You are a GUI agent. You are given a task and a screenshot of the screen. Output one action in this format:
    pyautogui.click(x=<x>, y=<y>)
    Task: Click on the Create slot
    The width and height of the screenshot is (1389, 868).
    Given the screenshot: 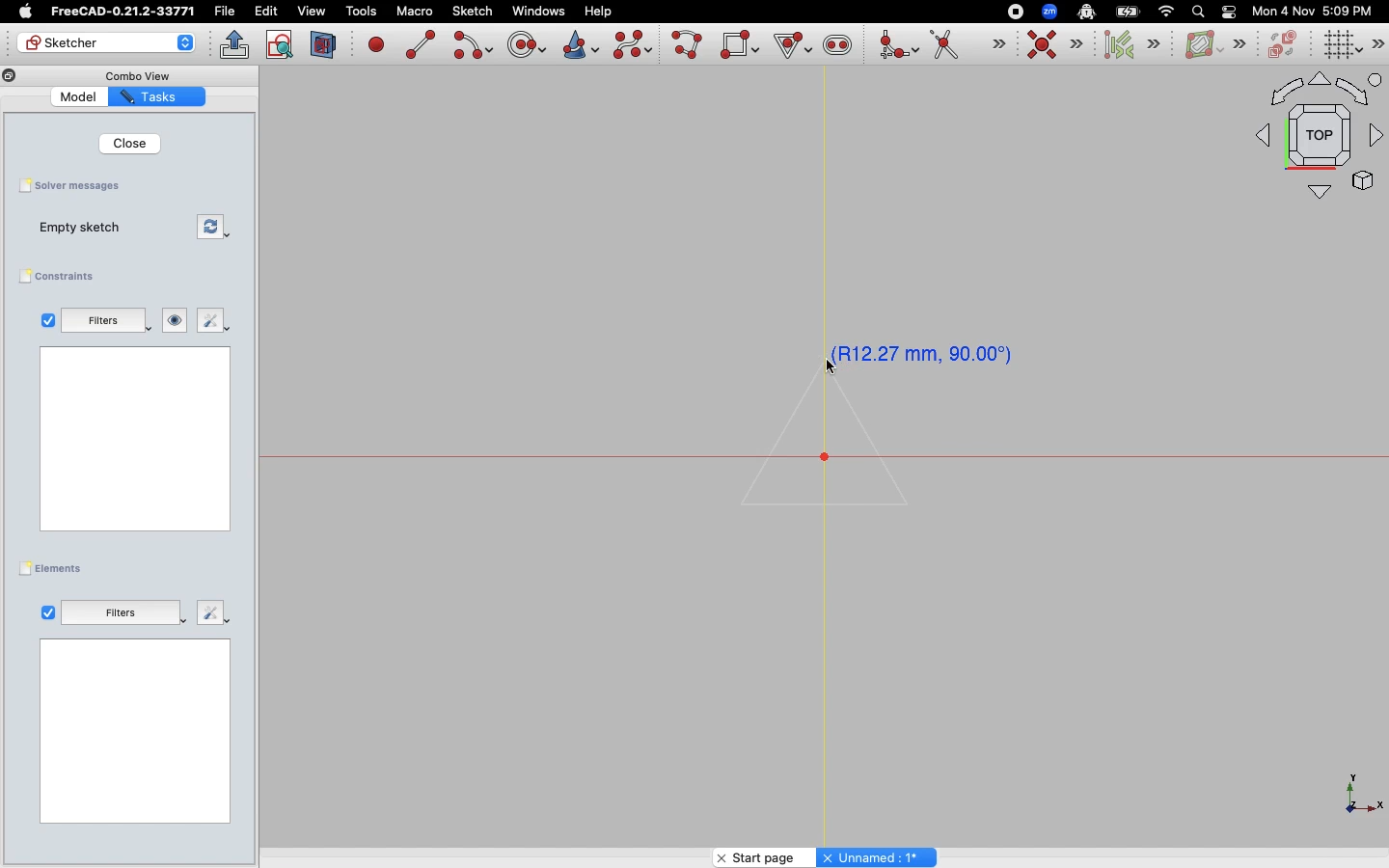 What is the action you would take?
    pyautogui.click(x=836, y=47)
    